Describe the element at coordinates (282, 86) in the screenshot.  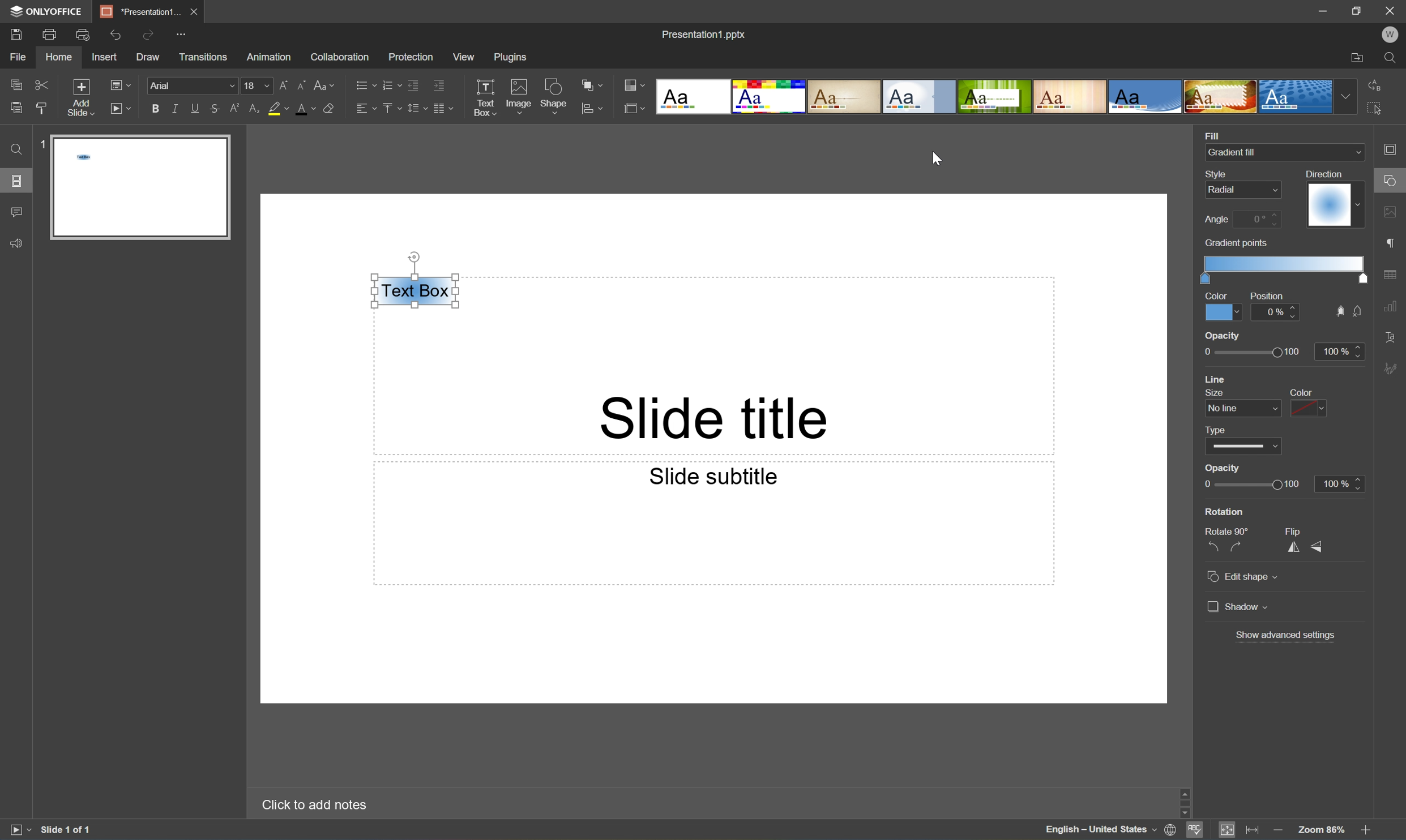
I see `Increment font size` at that location.